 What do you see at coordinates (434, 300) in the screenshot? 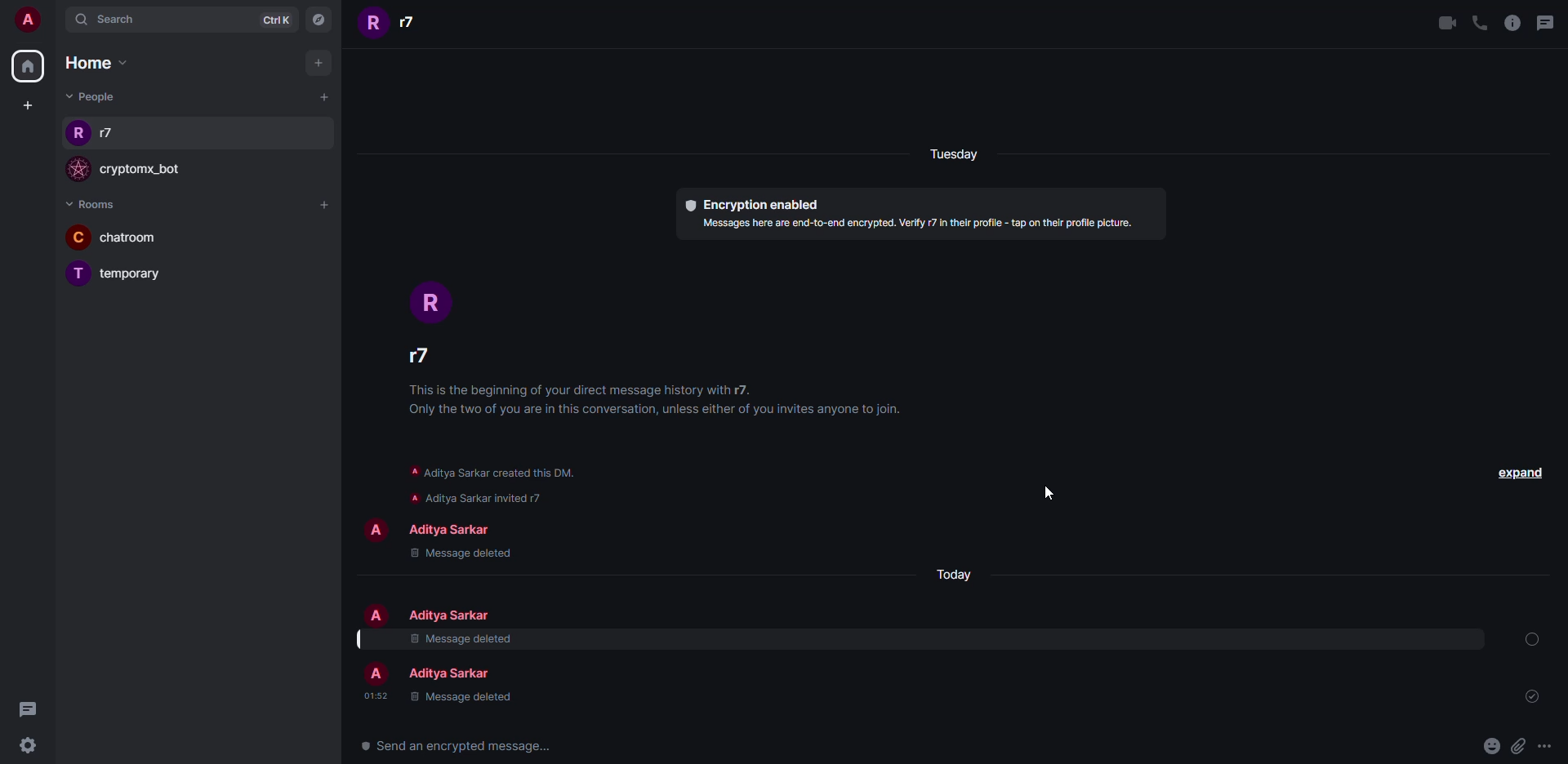
I see `profile` at bounding box center [434, 300].